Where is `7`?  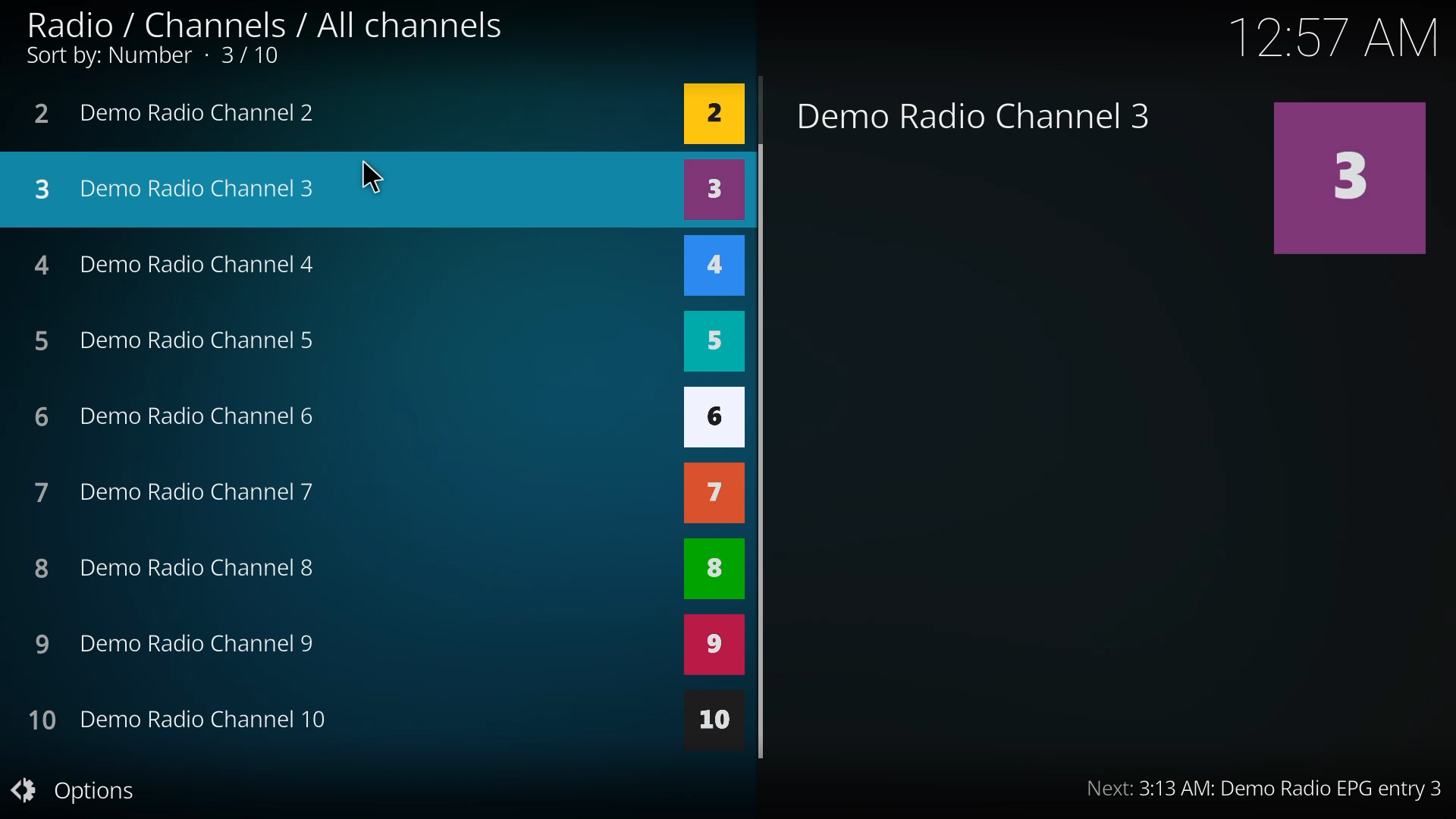
7 is located at coordinates (713, 494).